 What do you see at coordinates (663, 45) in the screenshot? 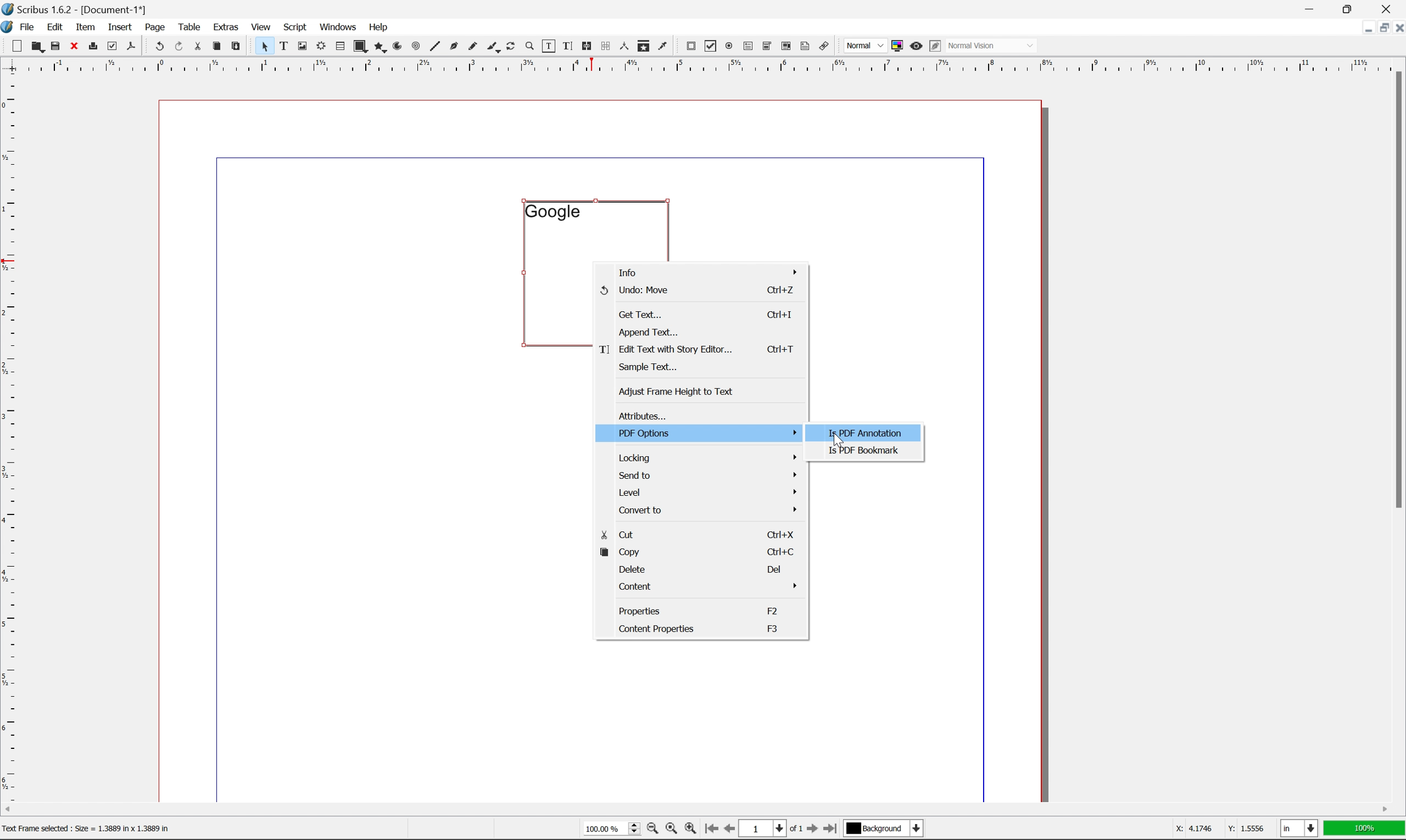
I see `eye dropper` at bounding box center [663, 45].